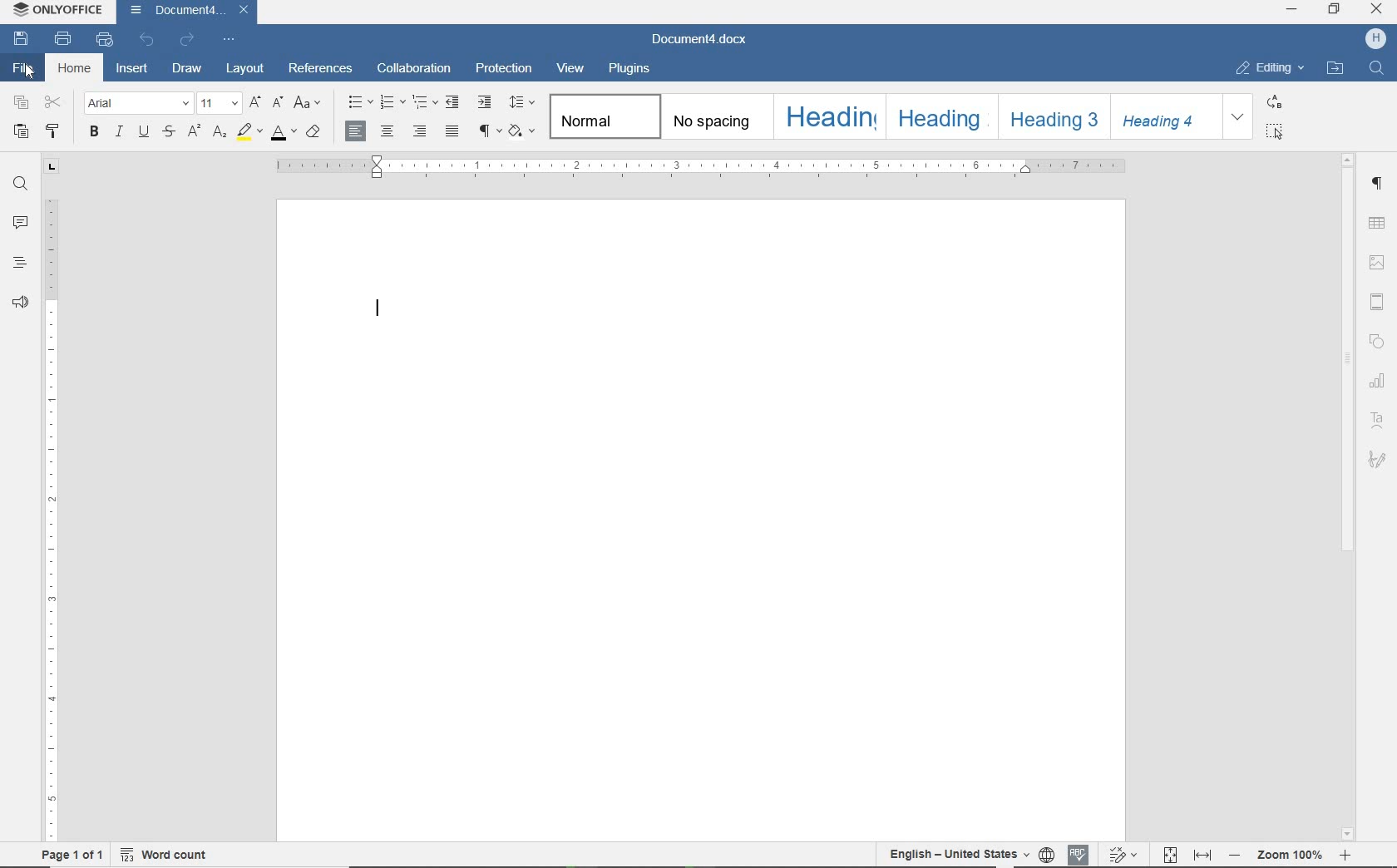 The height and width of the screenshot is (868, 1397). Describe the element at coordinates (1380, 420) in the screenshot. I see `text art` at that location.